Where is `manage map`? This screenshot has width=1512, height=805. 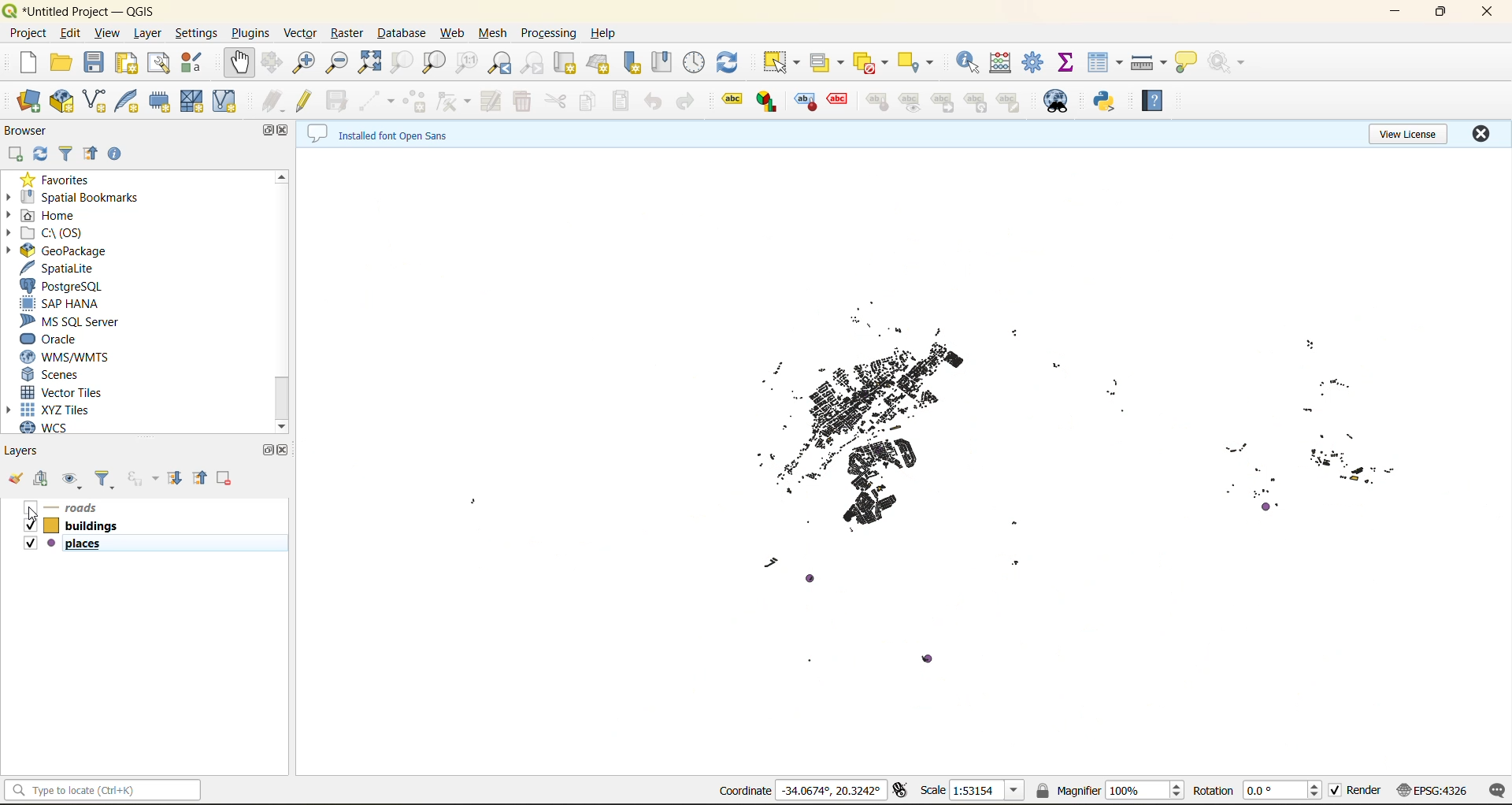
manage map is located at coordinates (73, 477).